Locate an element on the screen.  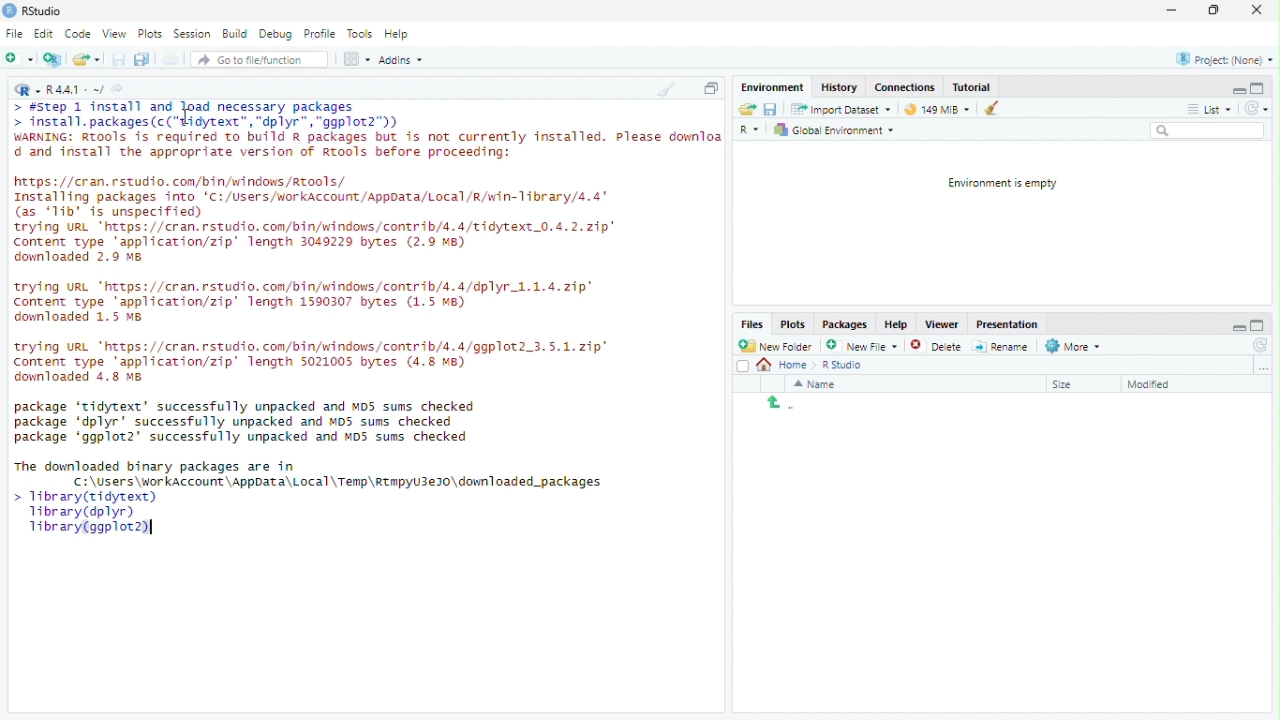
Debug is located at coordinates (276, 32).